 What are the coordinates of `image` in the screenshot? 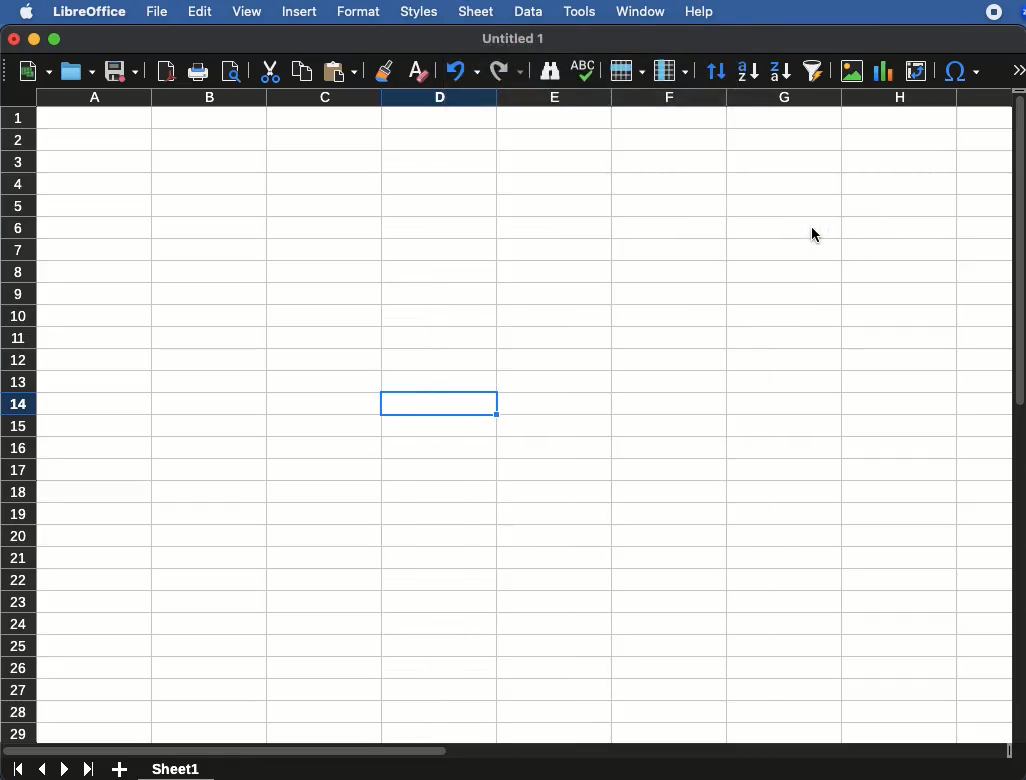 It's located at (852, 72).